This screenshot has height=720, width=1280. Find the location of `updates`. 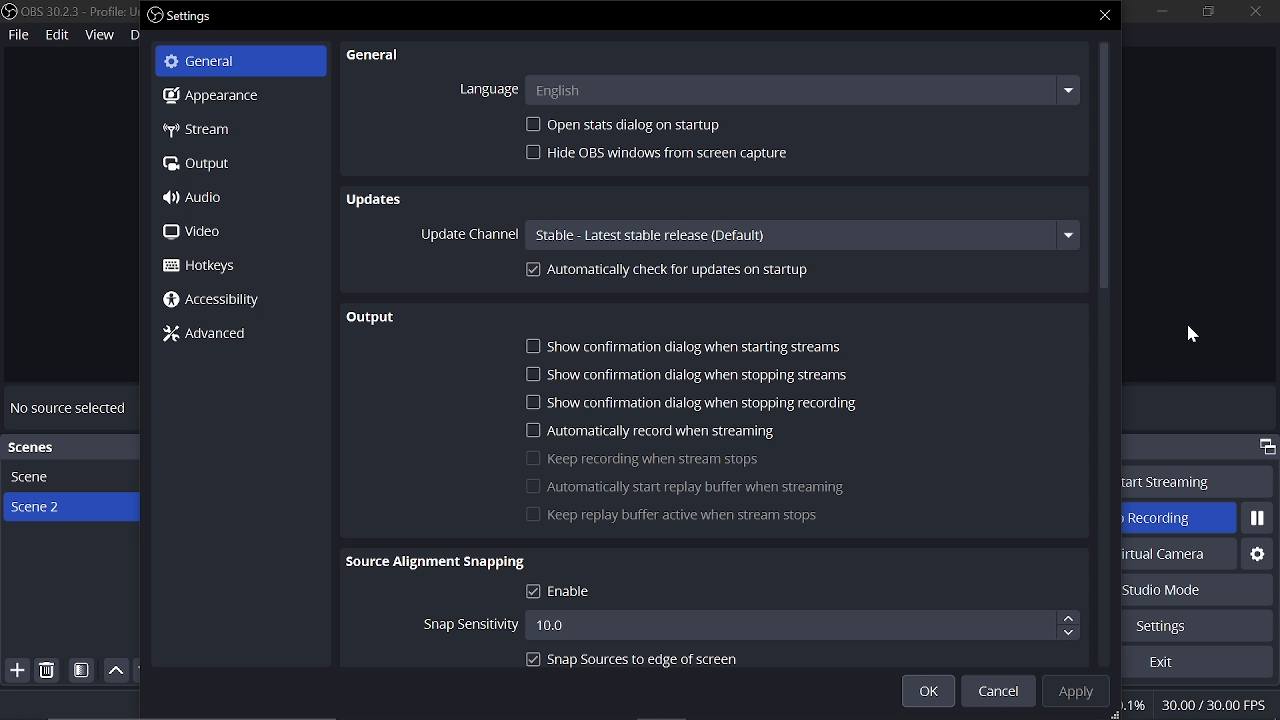

updates is located at coordinates (375, 198).